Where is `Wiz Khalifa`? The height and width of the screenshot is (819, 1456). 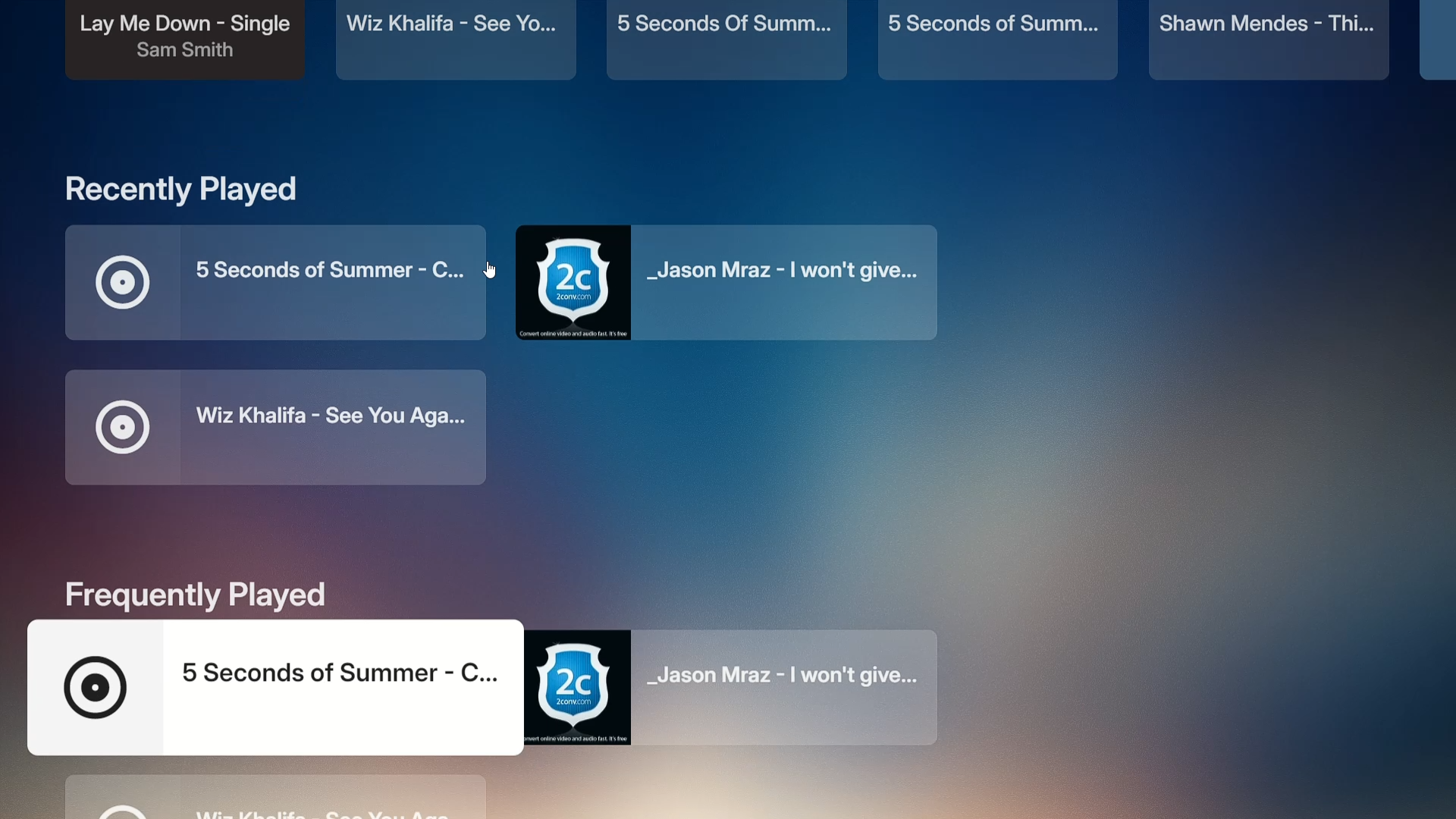
Wiz Khalifa is located at coordinates (273, 798).